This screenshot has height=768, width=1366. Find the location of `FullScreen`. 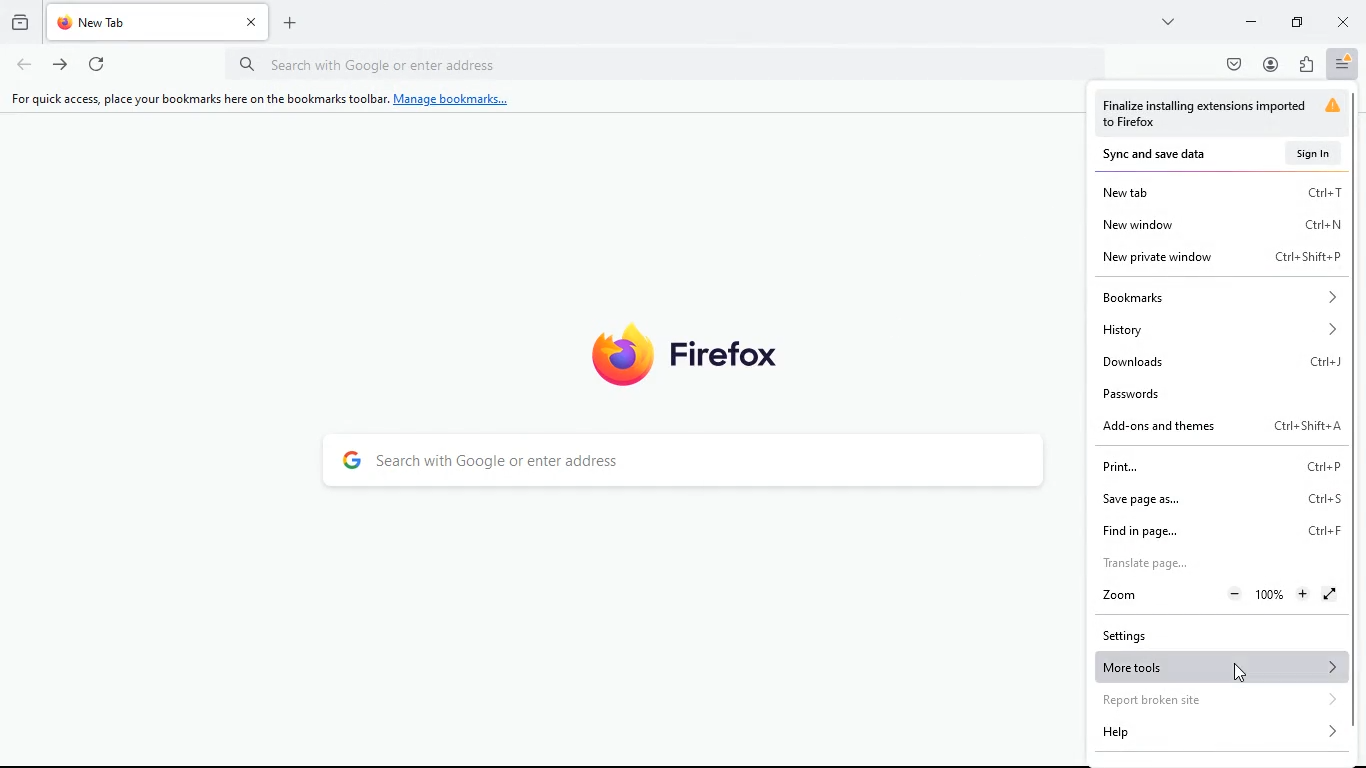

FullScreen is located at coordinates (1331, 594).